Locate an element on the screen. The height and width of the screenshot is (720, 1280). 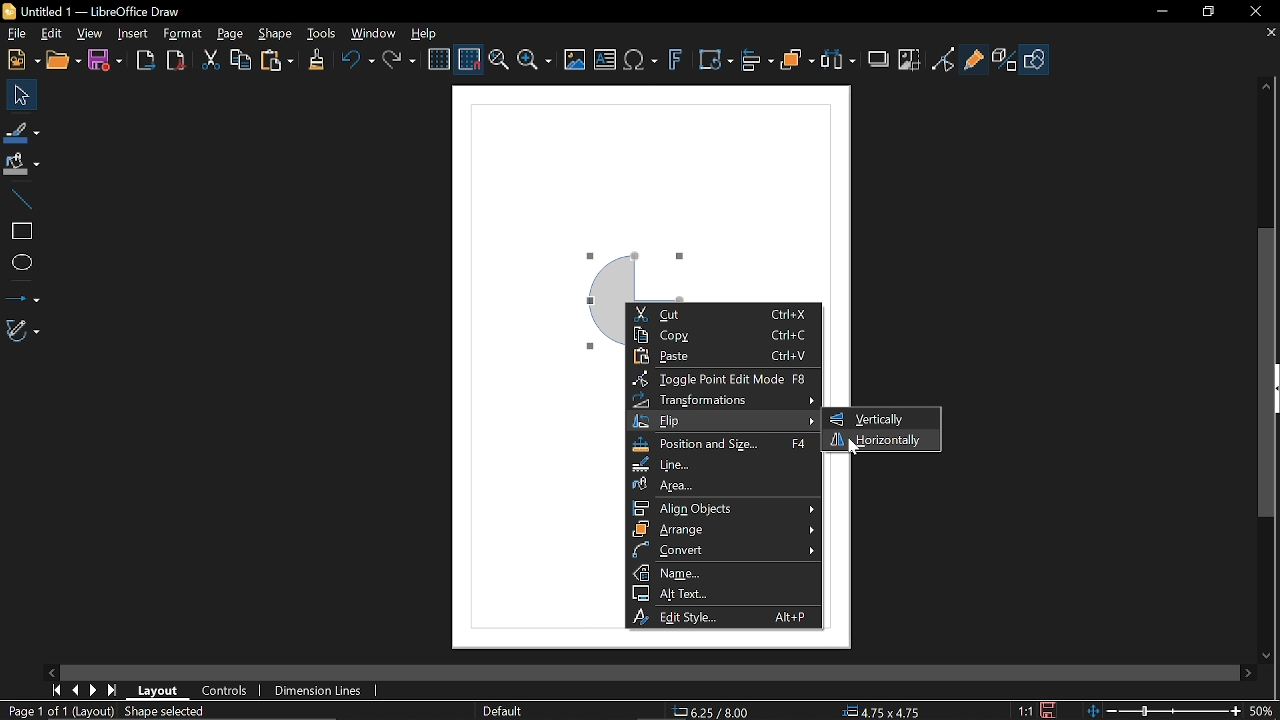
Toggle extrusion is located at coordinates (1006, 60).